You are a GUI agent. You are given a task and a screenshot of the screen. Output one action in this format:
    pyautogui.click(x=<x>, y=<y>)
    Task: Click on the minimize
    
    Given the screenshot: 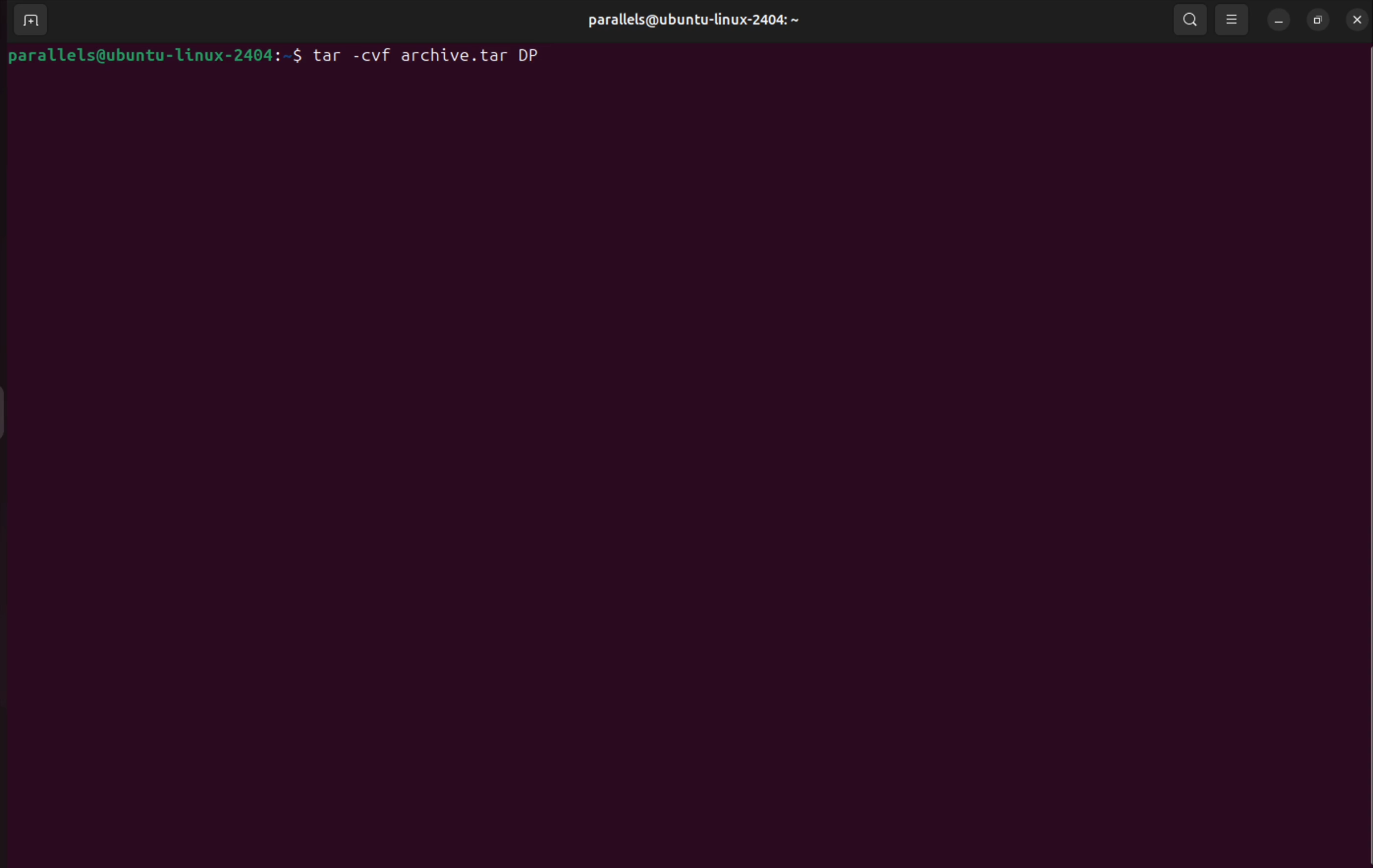 What is the action you would take?
    pyautogui.click(x=1279, y=19)
    